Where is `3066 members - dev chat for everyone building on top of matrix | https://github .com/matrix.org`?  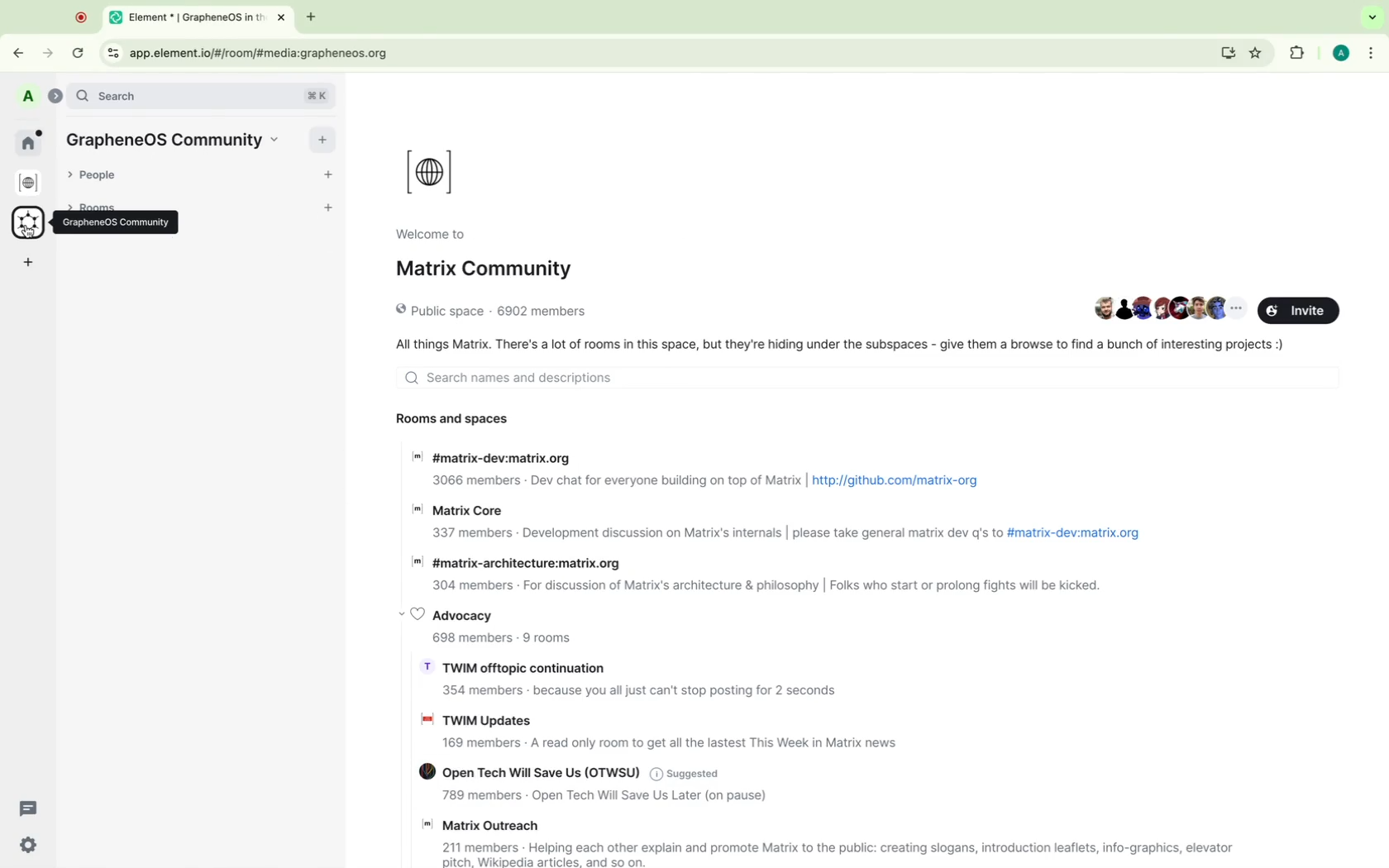
3066 members - dev chat for everyone building on top of matrix | https://github .com/matrix.org is located at coordinates (702, 483).